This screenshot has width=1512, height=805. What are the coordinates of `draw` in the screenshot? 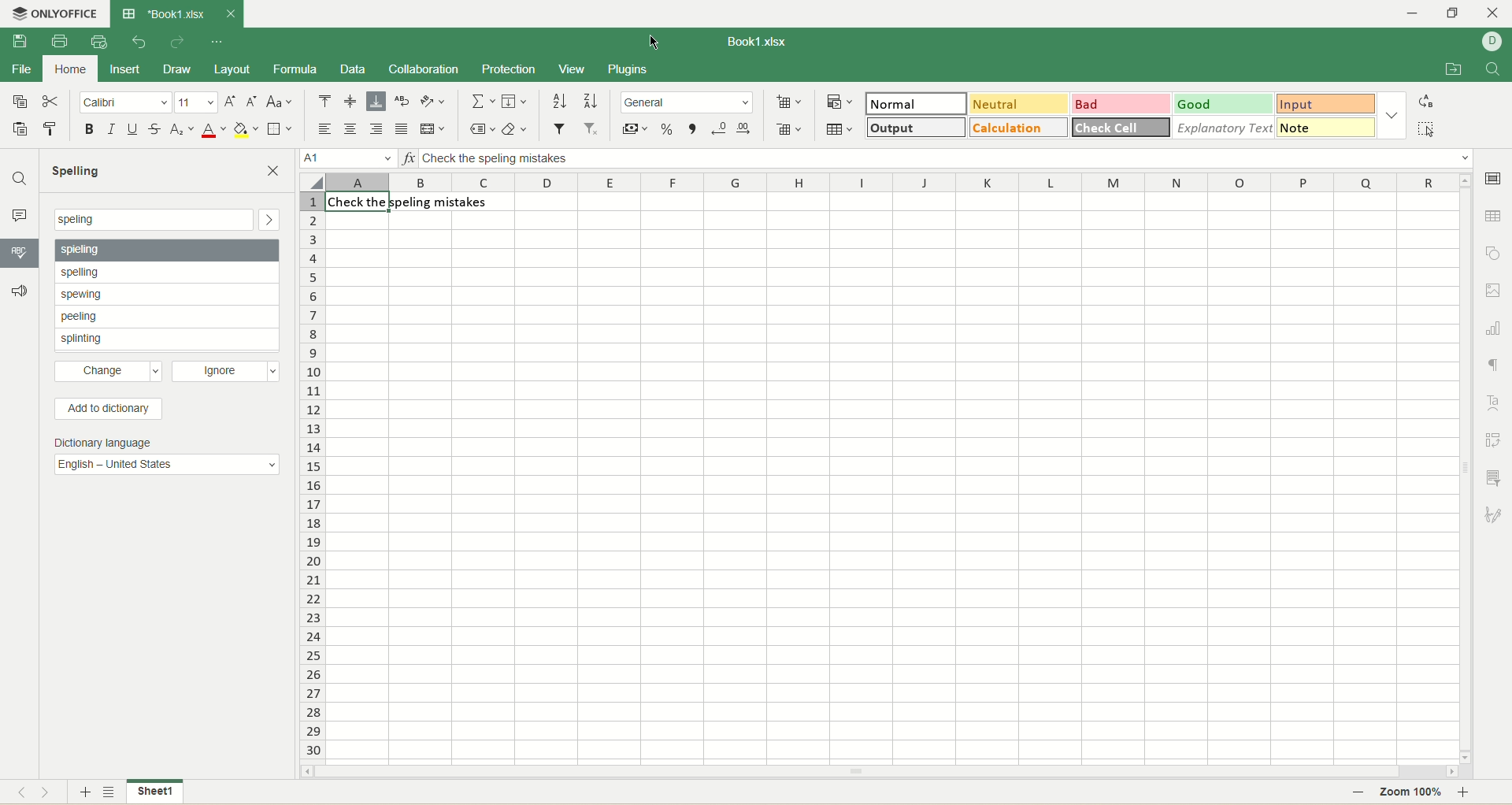 It's located at (176, 70).